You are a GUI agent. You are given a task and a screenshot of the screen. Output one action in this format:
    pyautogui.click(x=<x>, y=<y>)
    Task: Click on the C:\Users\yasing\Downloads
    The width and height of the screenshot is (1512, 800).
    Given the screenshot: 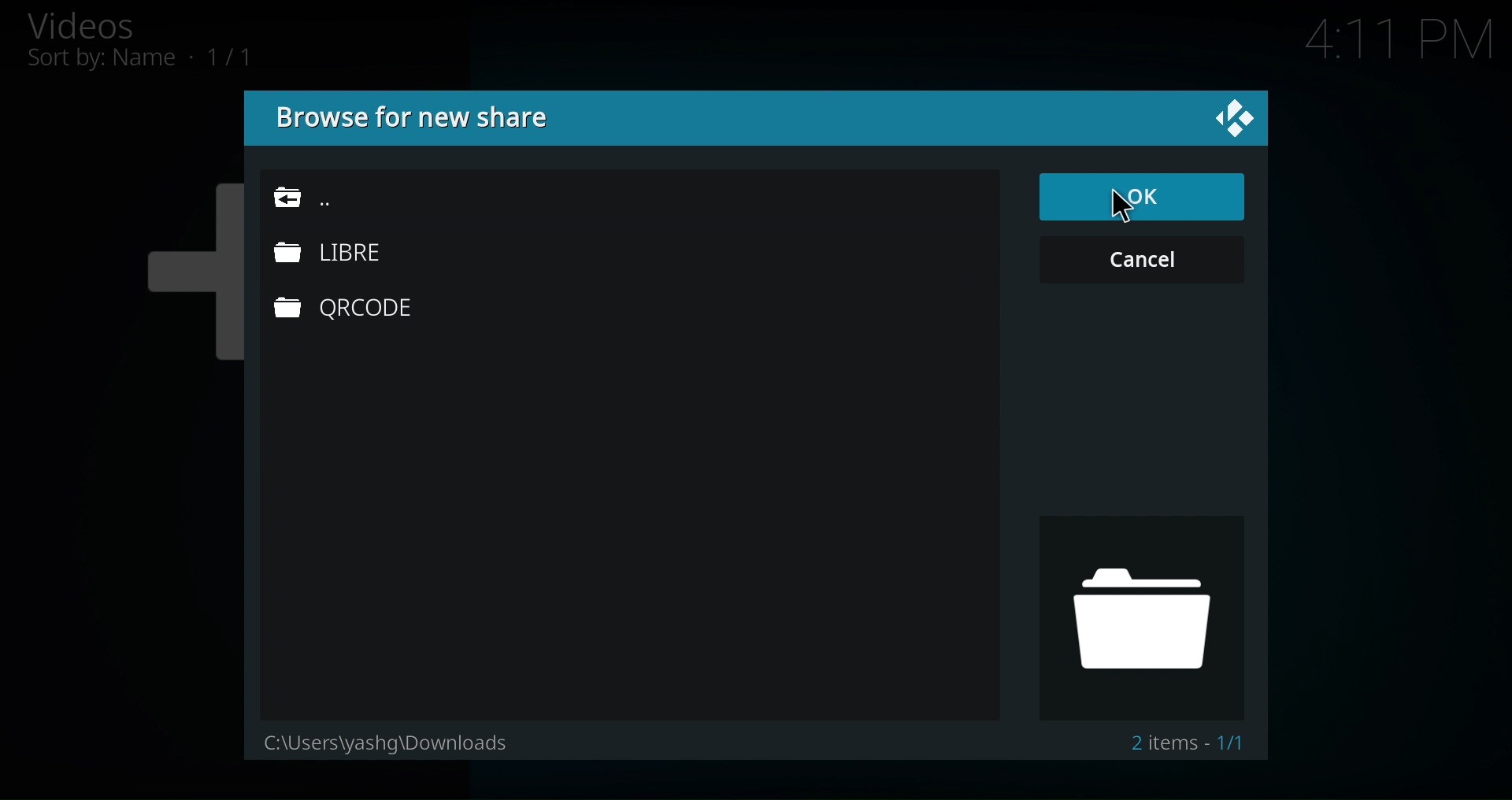 What is the action you would take?
    pyautogui.click(x=383, y=741)
    